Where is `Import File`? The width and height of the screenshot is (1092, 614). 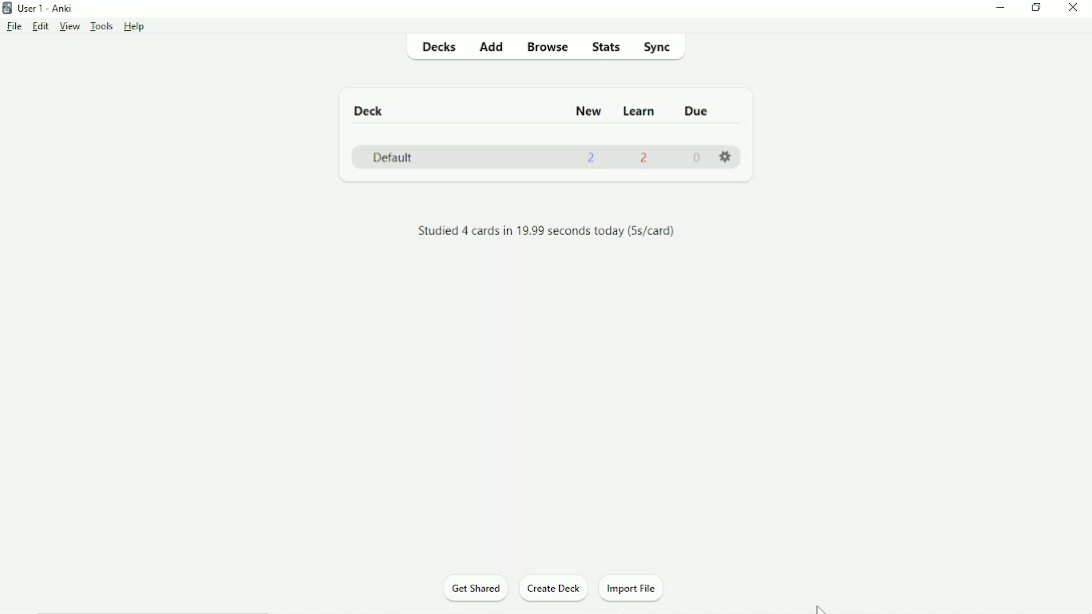 Import File is located at coordinates (640, 589).